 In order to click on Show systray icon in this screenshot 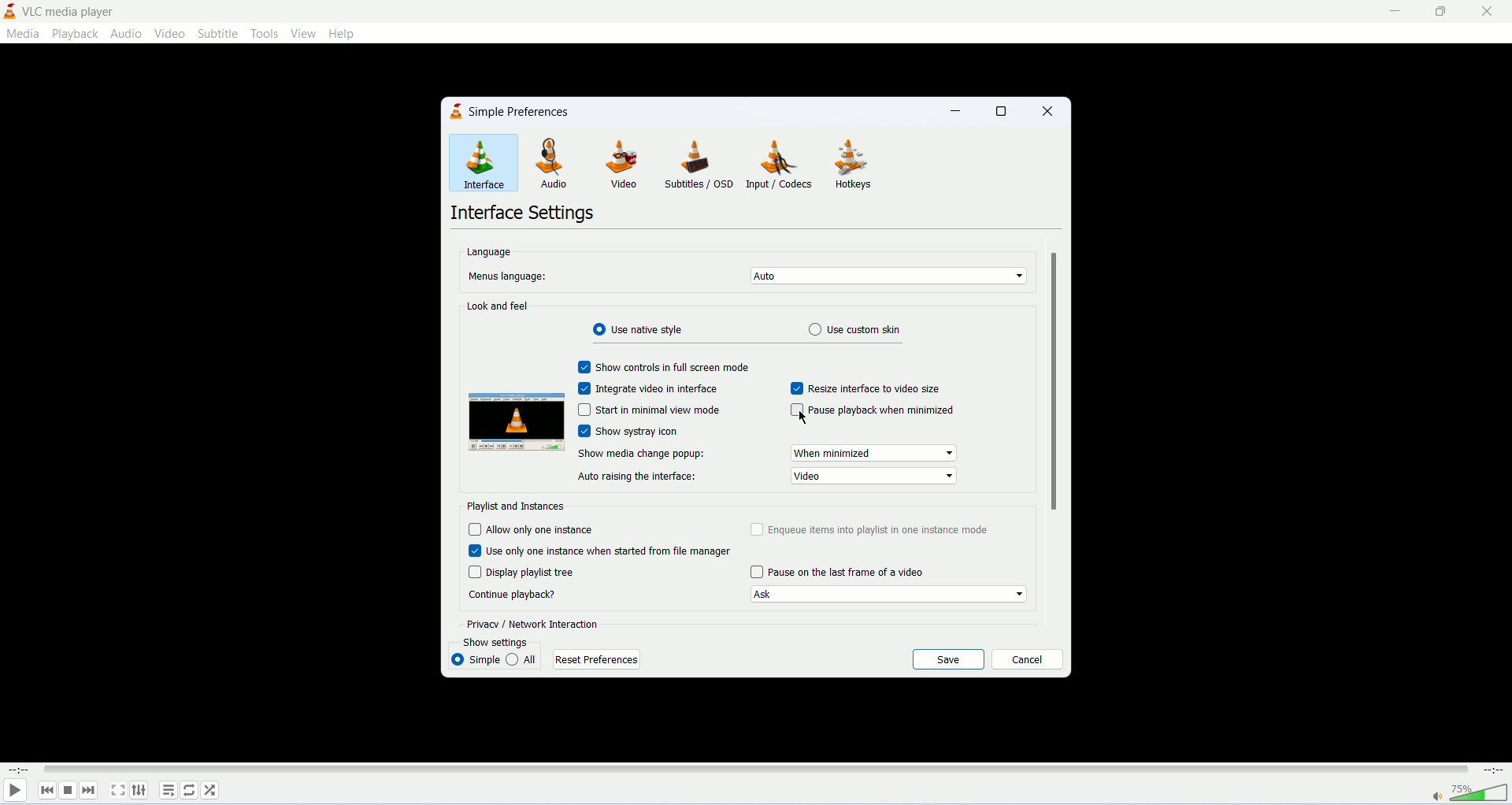, I will do `click(641, 429)`.